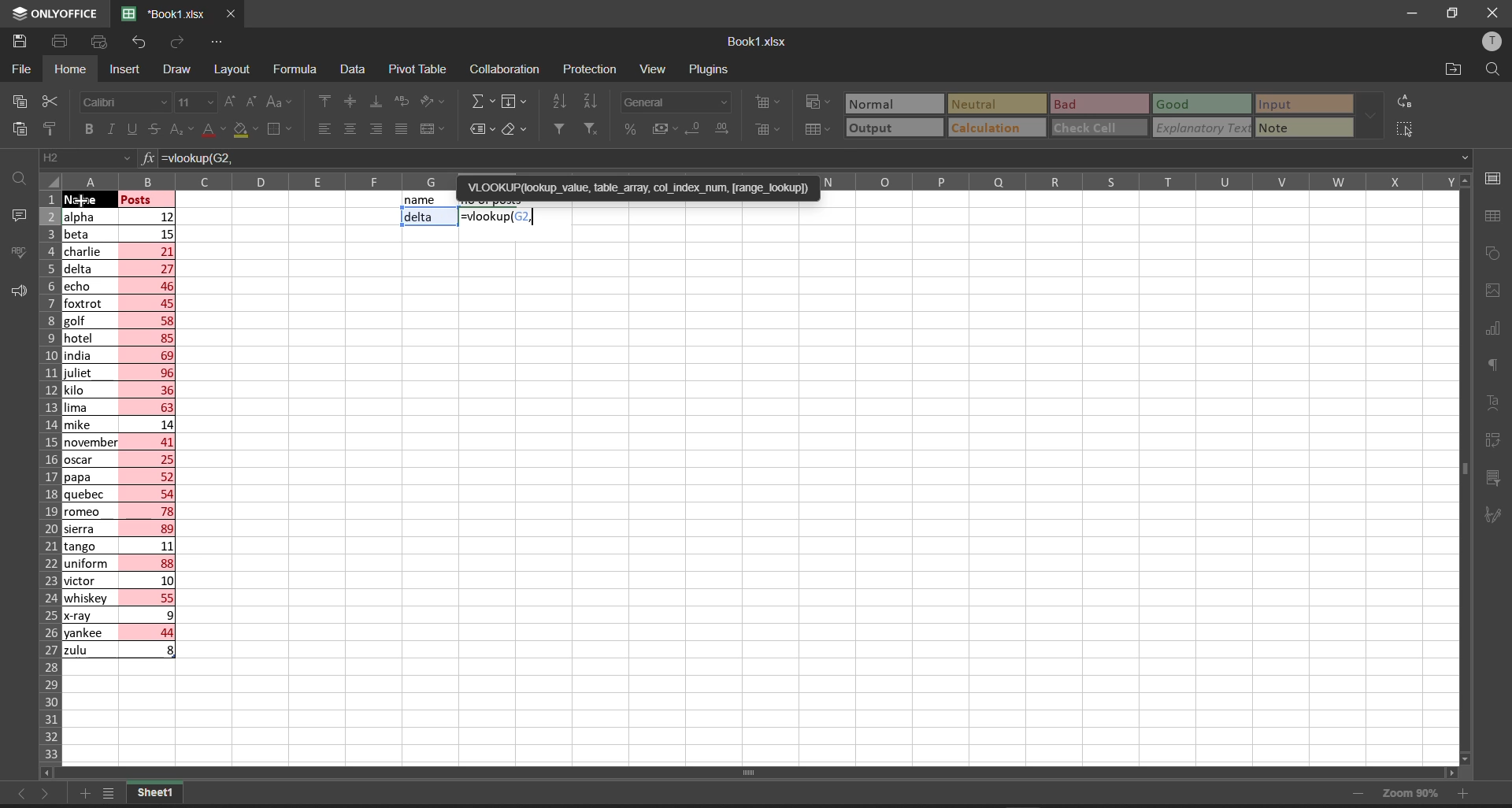  Describe the element at coordinates (1092, 128) in the screenshot. I see `check cell` at that location.